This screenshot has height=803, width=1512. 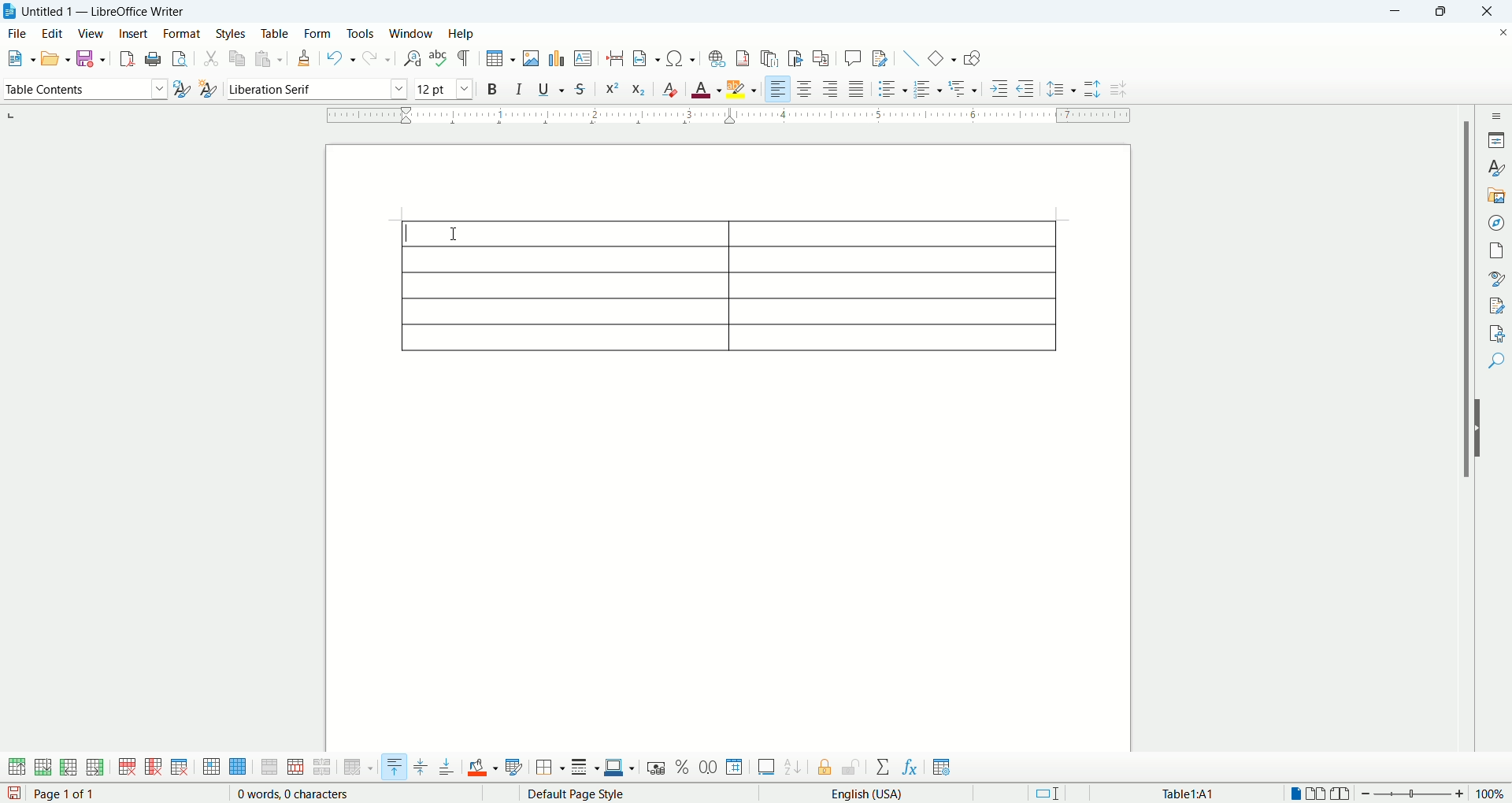 What do you see at coordinates (746, 57) in the screenshot?
I see `insert footnote` at bounding box center [746, 57].